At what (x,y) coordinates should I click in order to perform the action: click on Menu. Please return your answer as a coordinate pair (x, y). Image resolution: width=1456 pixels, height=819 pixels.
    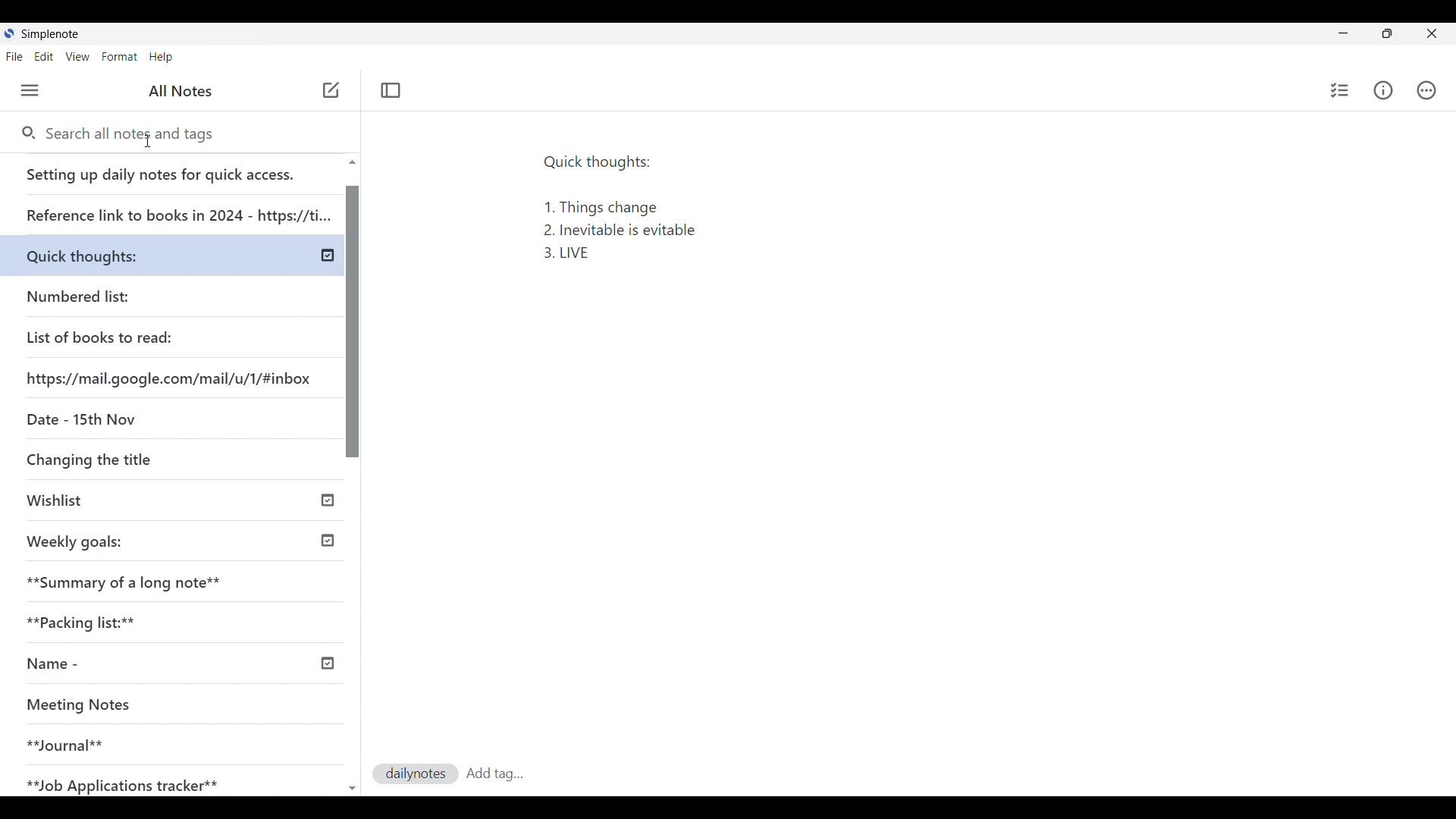
    Looking at the image, I should click on (30, 90).